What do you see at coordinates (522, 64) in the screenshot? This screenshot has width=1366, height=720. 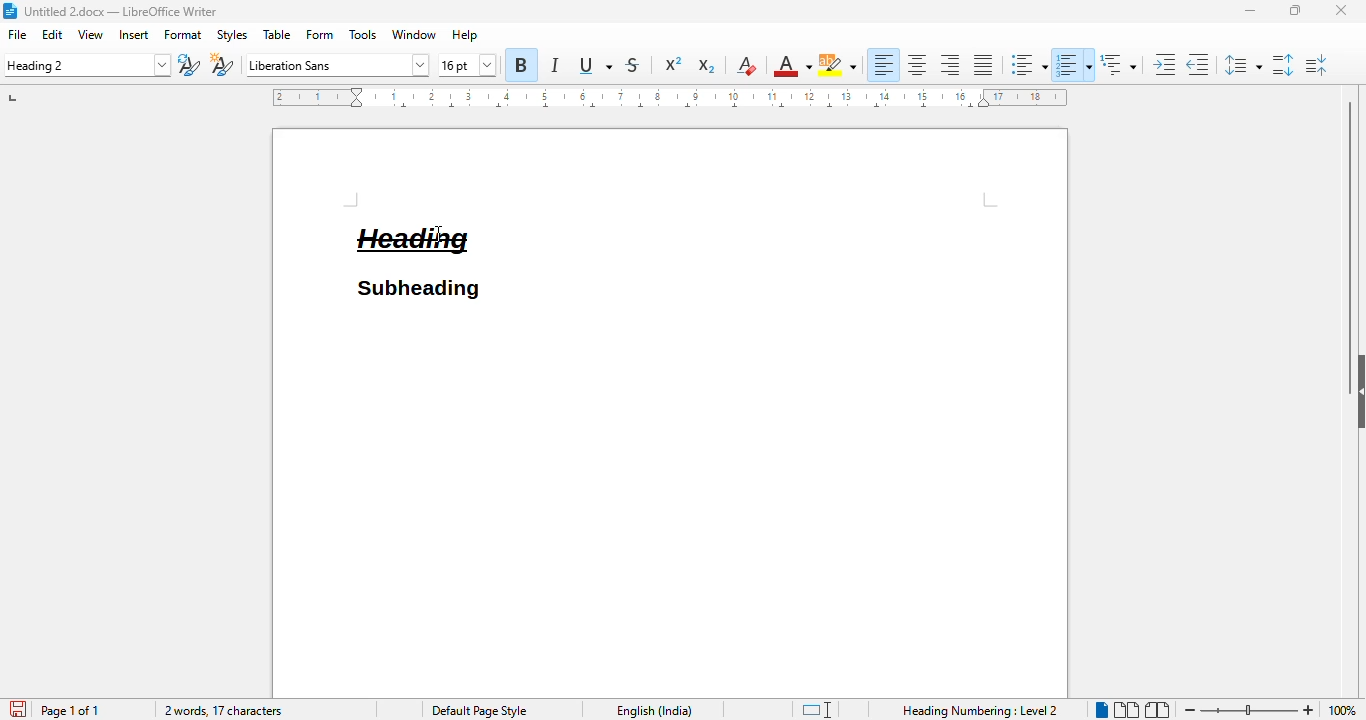 I see `bold` at bounding box center [522, 64].